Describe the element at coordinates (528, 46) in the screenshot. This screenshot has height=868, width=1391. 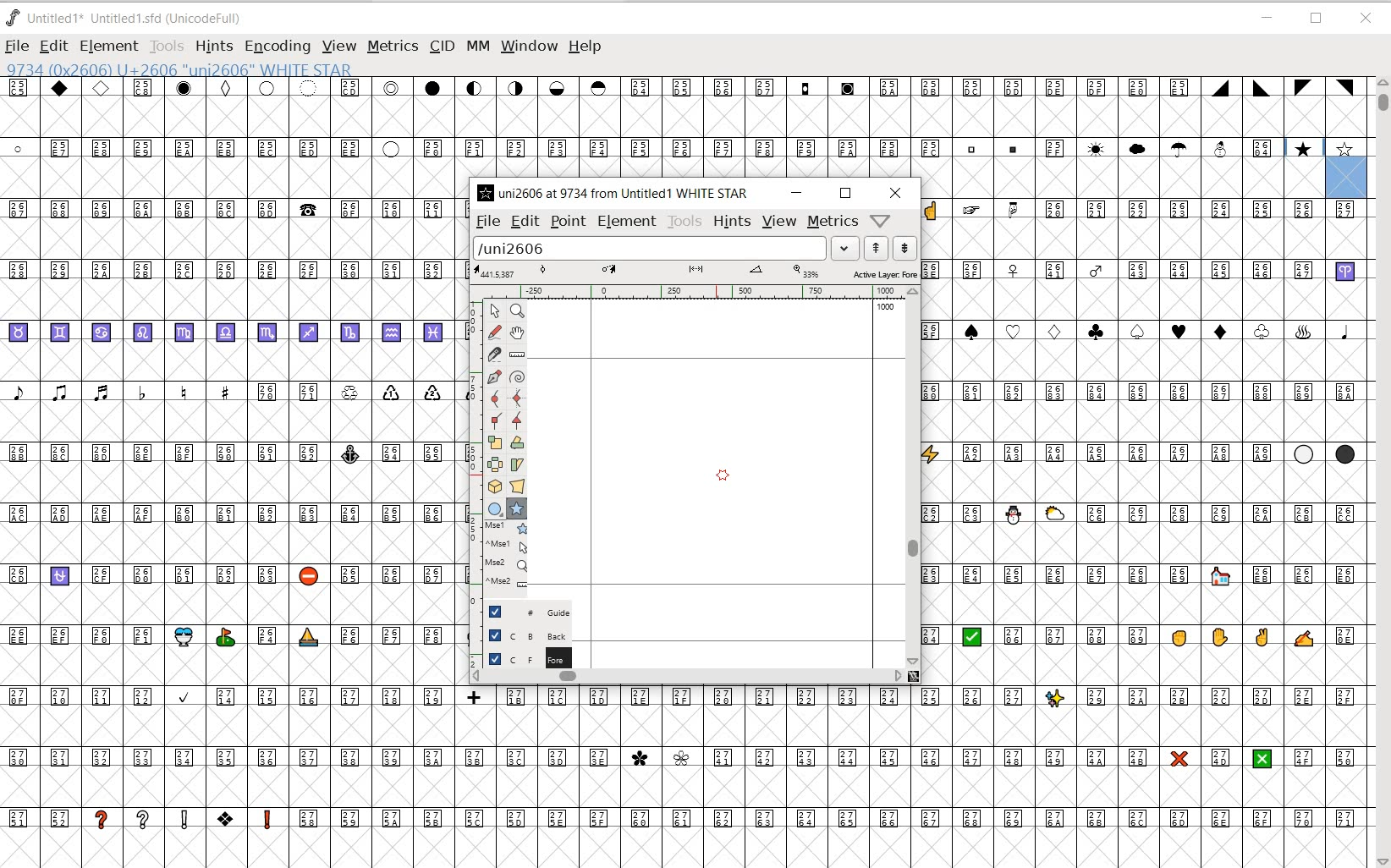
I see `WINDOW` at that location.